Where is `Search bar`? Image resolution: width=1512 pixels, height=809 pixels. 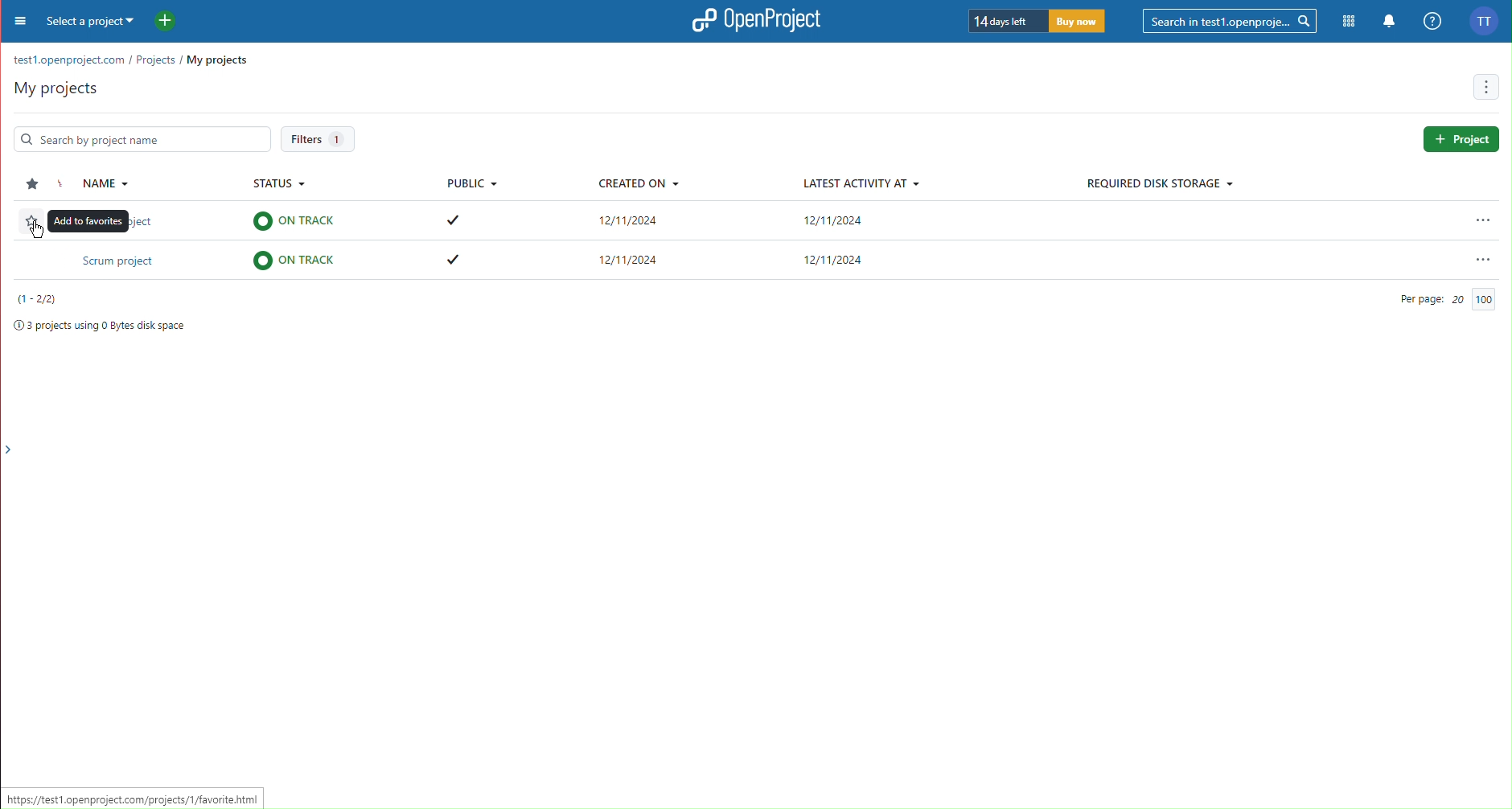
Search bar is located at coordinates (137, 138).